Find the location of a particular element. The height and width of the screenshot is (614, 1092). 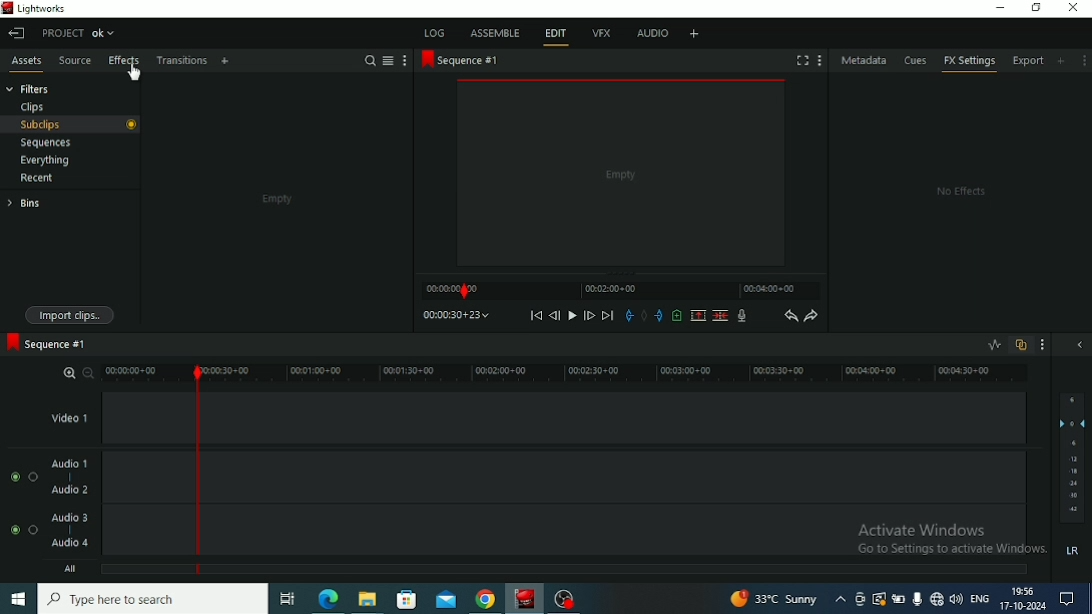

File Explorer is located at coordinates (369, 599).